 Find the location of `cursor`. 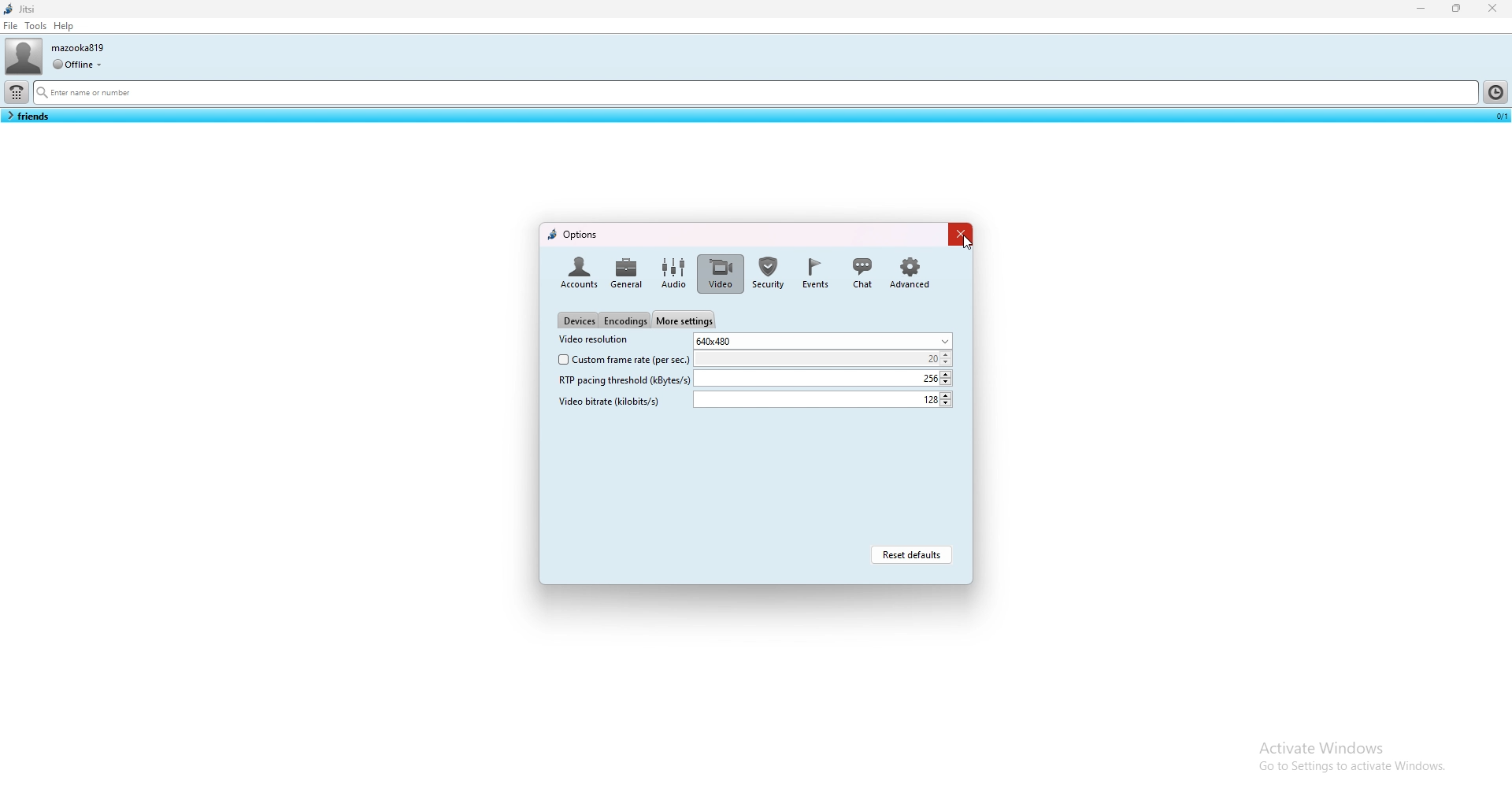

cursor is located at coordinates (967, 243).